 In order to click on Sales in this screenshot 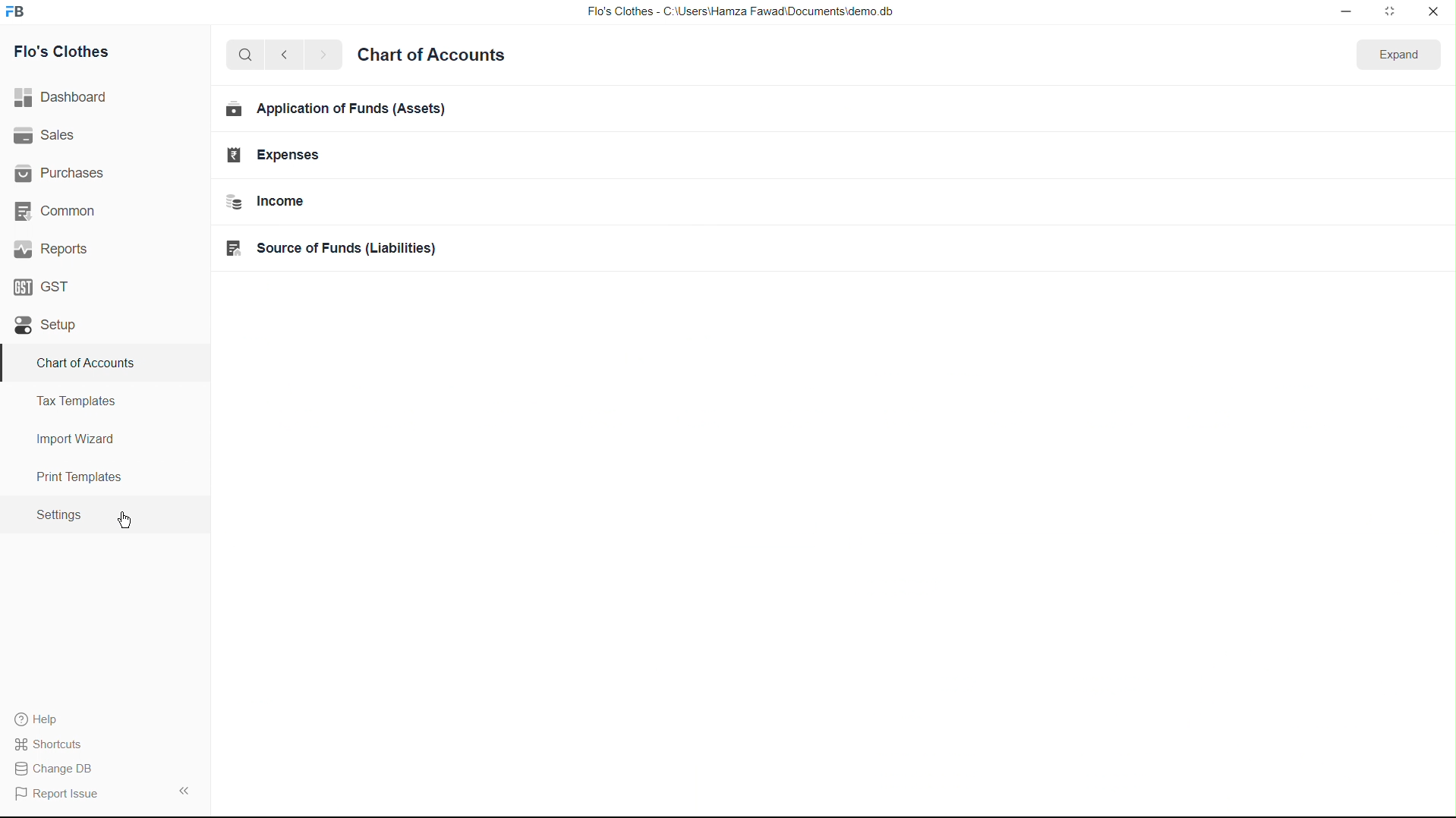, I will do `click(48, 136)`.